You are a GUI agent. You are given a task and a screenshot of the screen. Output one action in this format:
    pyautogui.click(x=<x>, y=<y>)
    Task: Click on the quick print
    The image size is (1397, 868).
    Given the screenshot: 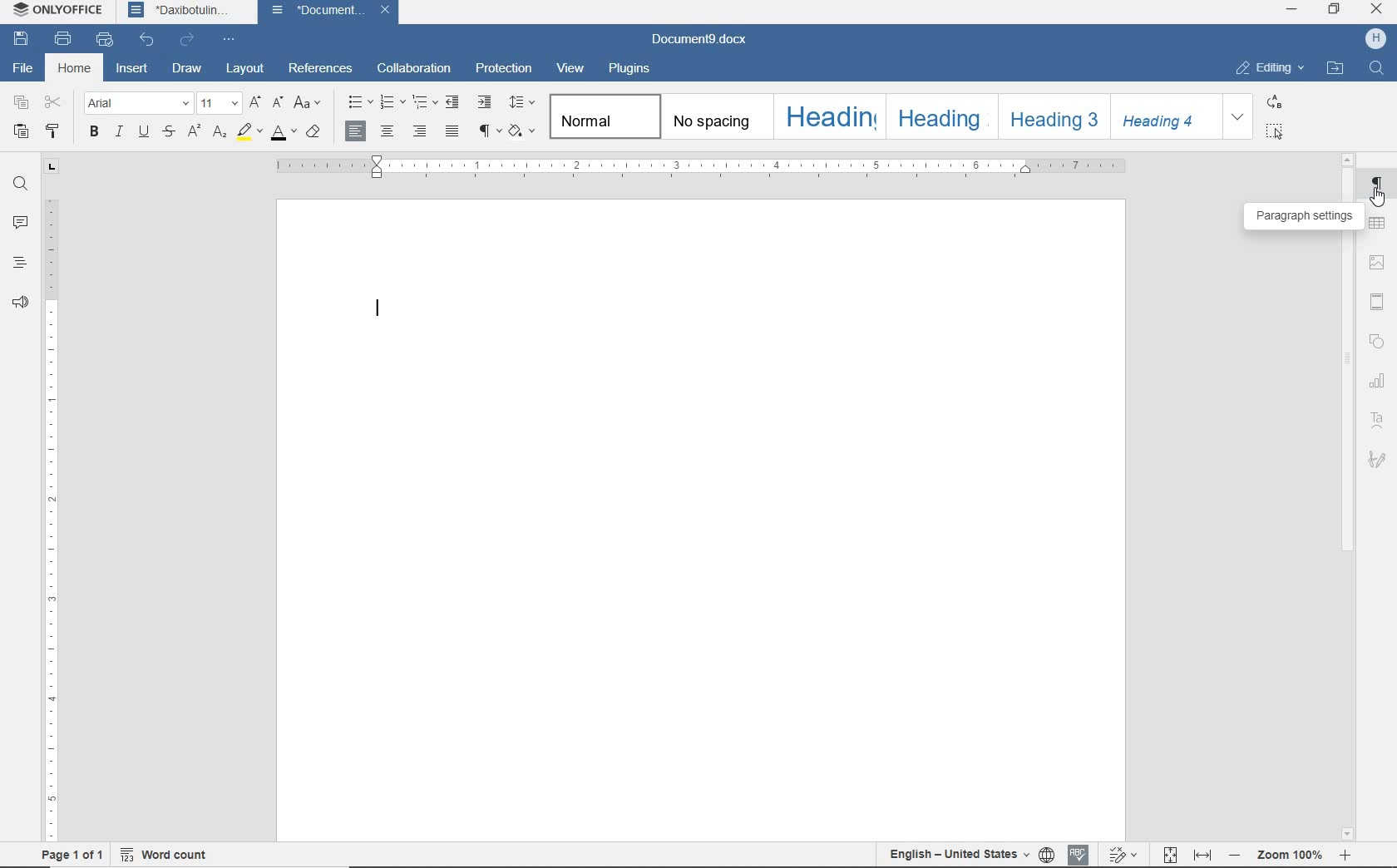 What is the action you would take?
    pyautogui.click(x=106, y=40)
    